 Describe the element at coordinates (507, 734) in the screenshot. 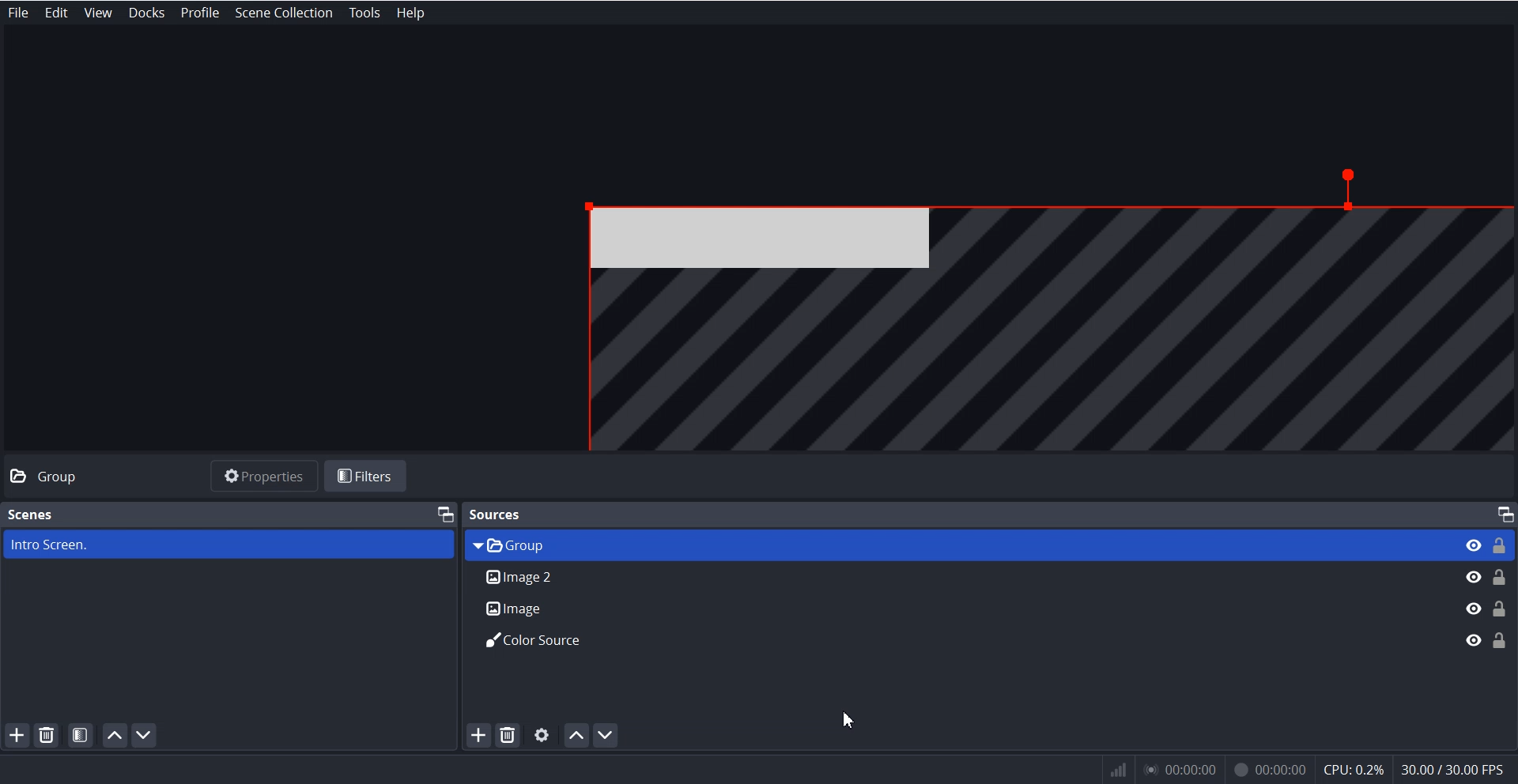

I see `Remove Selected Source` at that location.